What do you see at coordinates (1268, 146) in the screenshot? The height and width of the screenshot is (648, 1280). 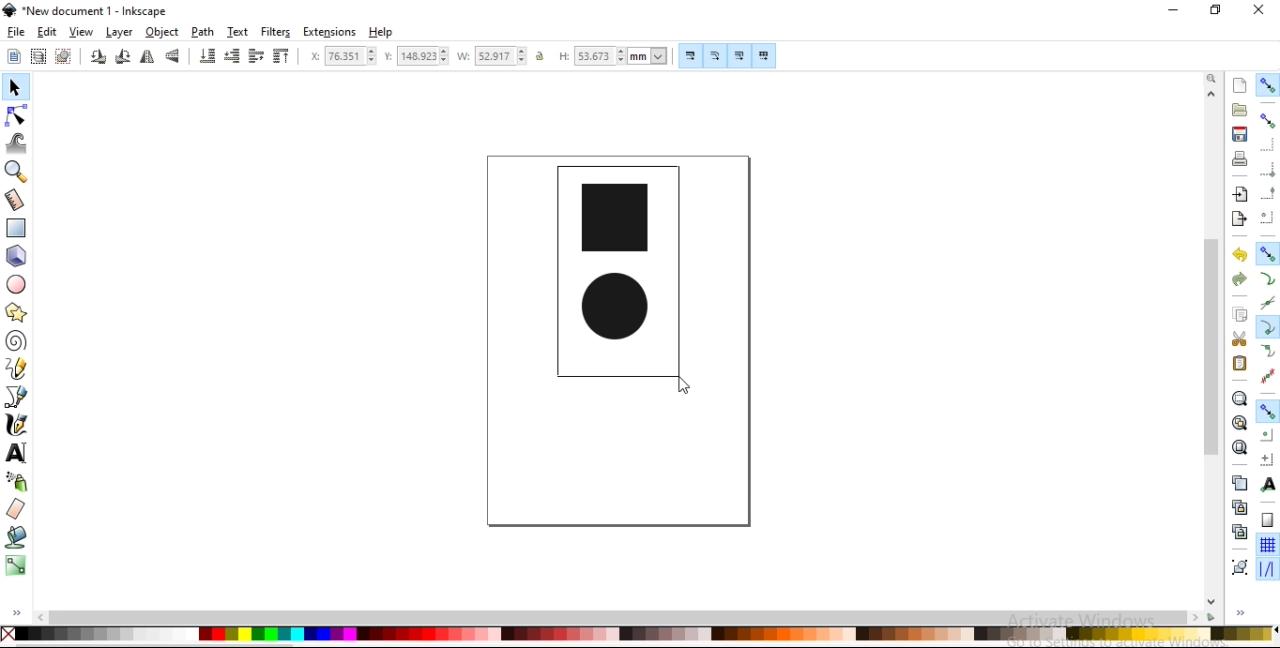 I see `snap to edges of bounding box` at bounding box center [1268, 146].